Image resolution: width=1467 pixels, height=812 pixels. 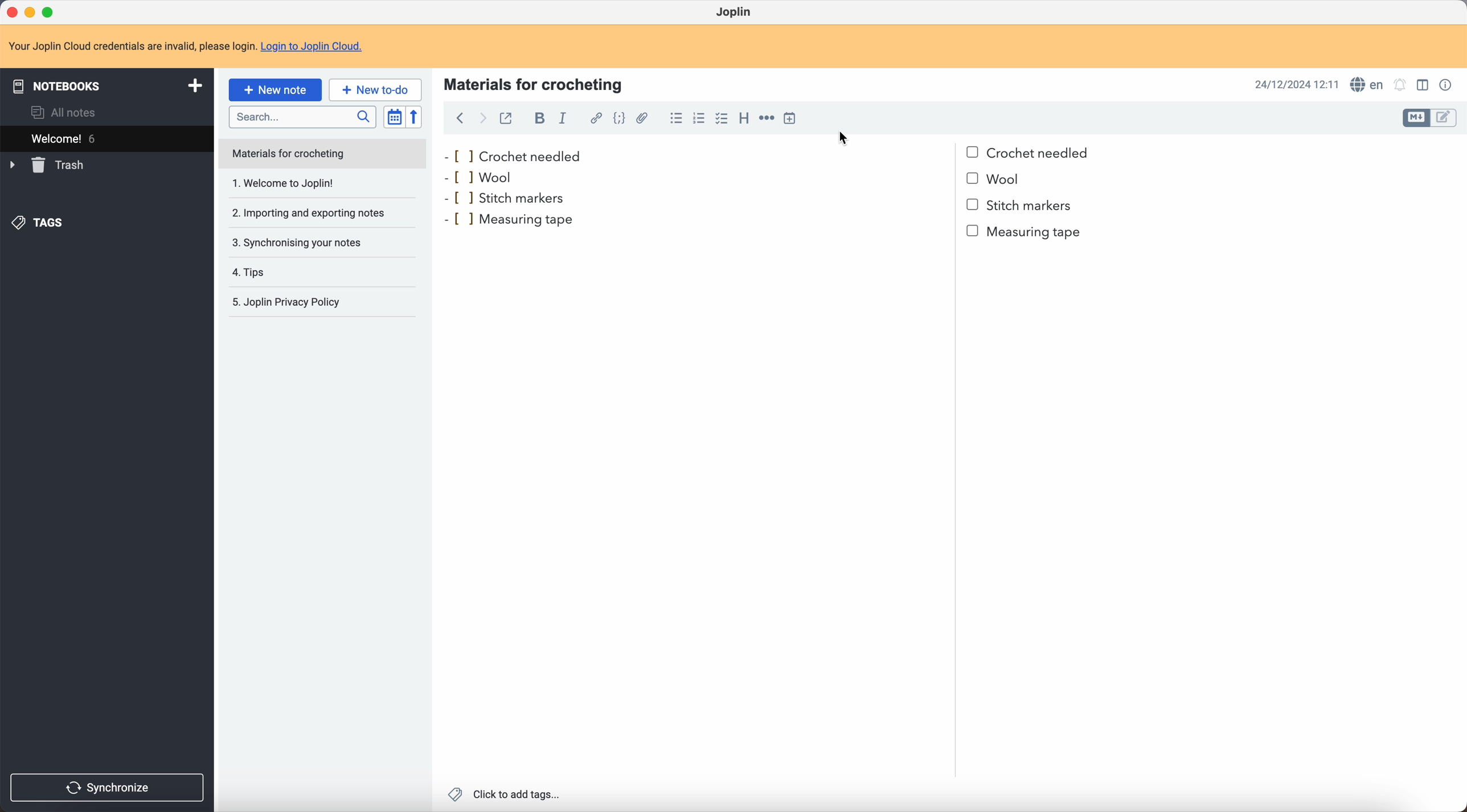 What do you see at coordinates (49, 165) in the screenshot?
I see `trash` at bounding box center [49, 165].